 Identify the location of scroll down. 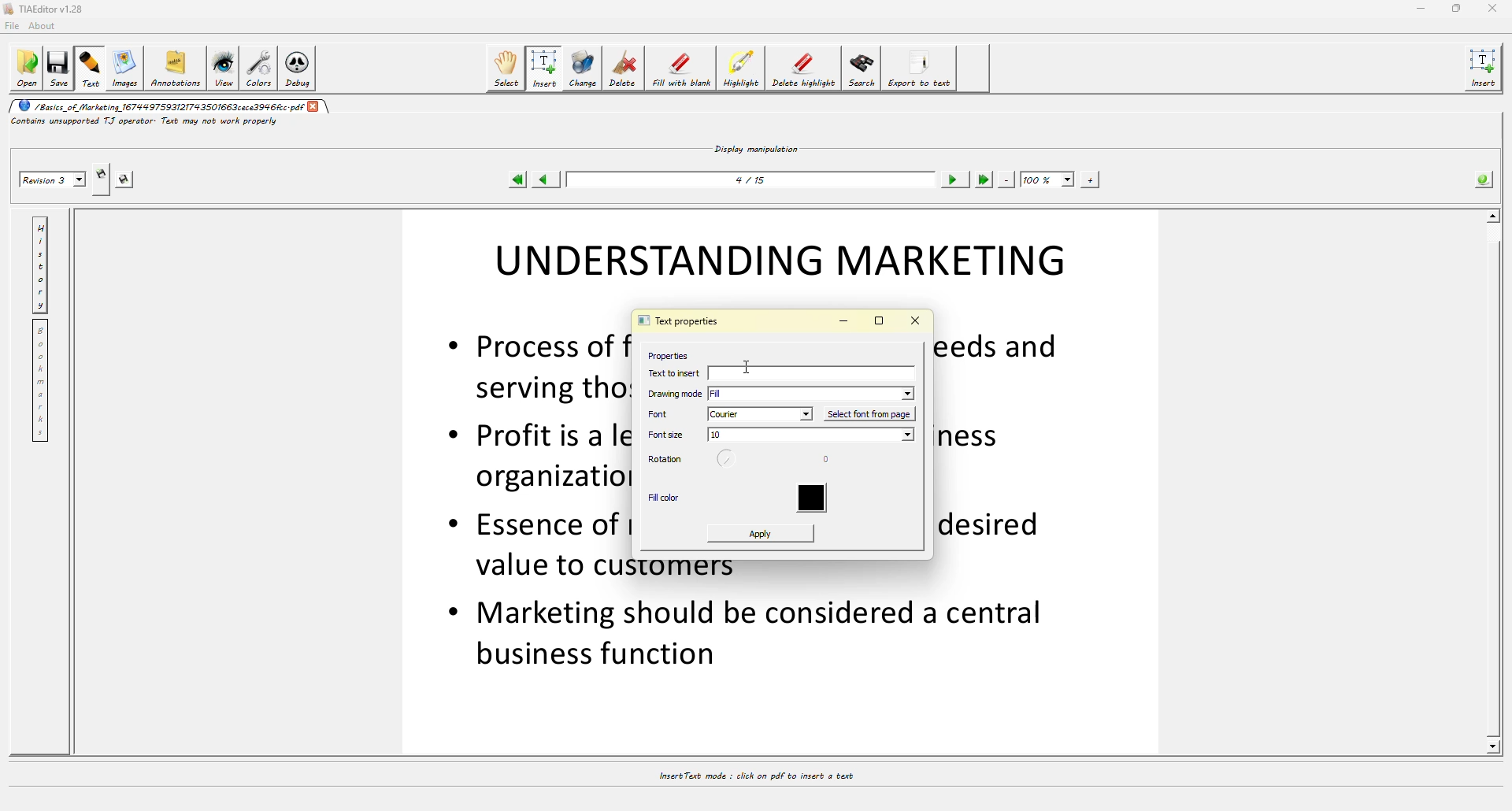
(1492, 746).